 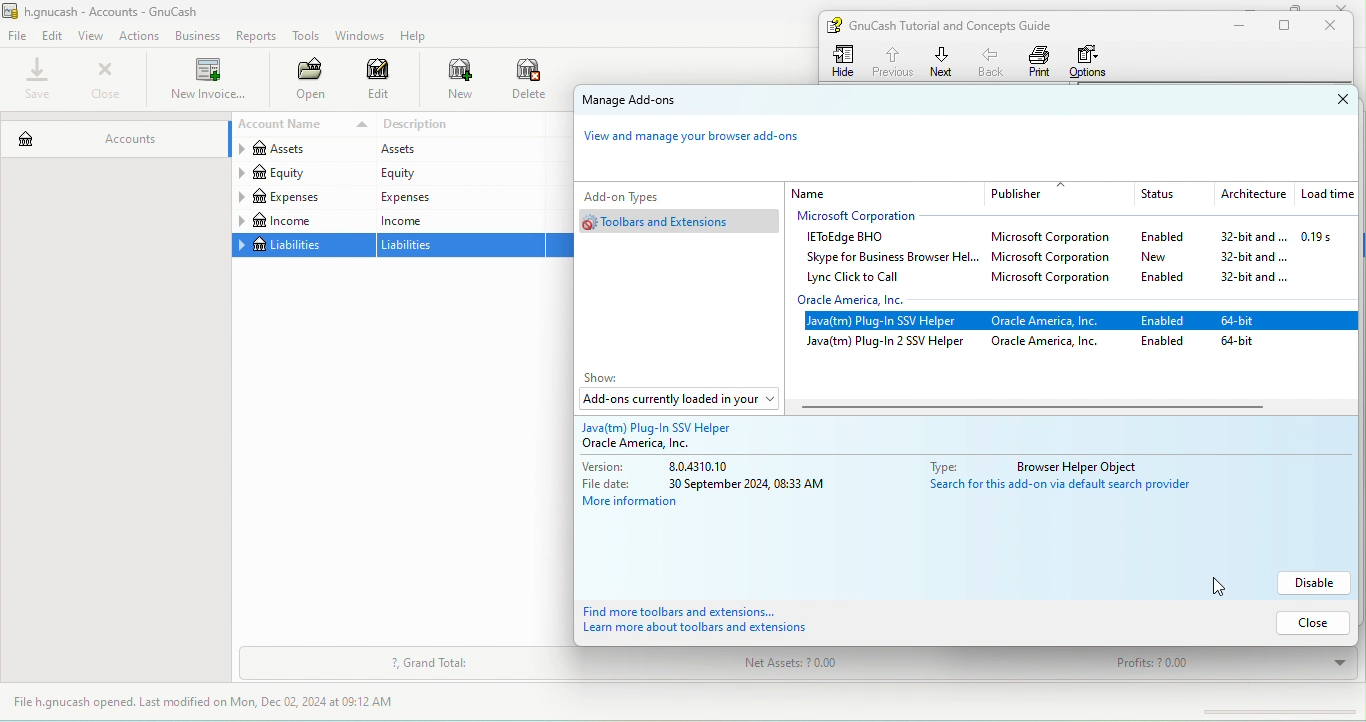 I want to click on print, so click(x=1040, y=61).